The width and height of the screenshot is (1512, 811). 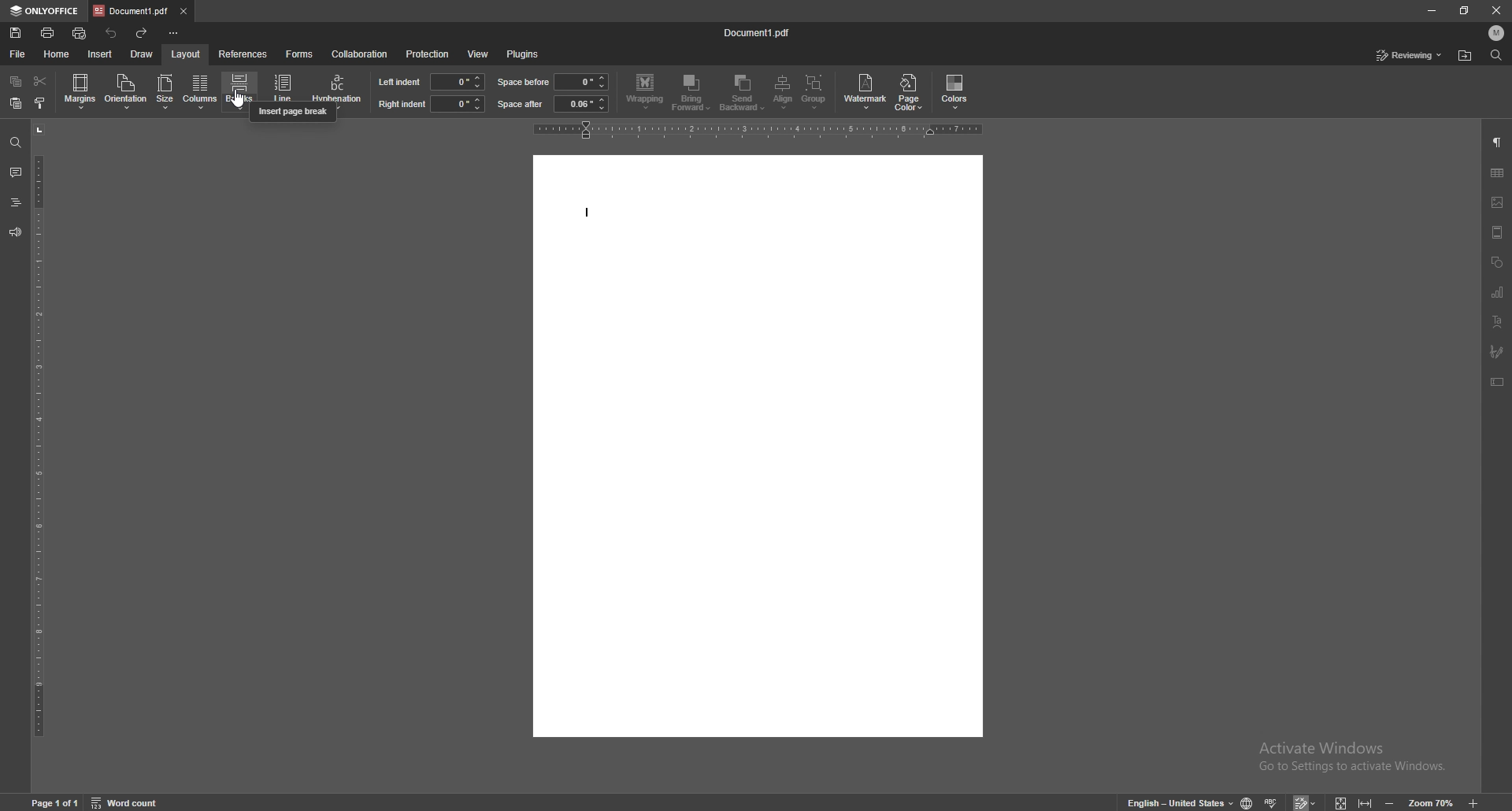 What do you see at coordinates (292, 111) in the screenshot?
I see `cursor description` at bounding box center [292, 111].